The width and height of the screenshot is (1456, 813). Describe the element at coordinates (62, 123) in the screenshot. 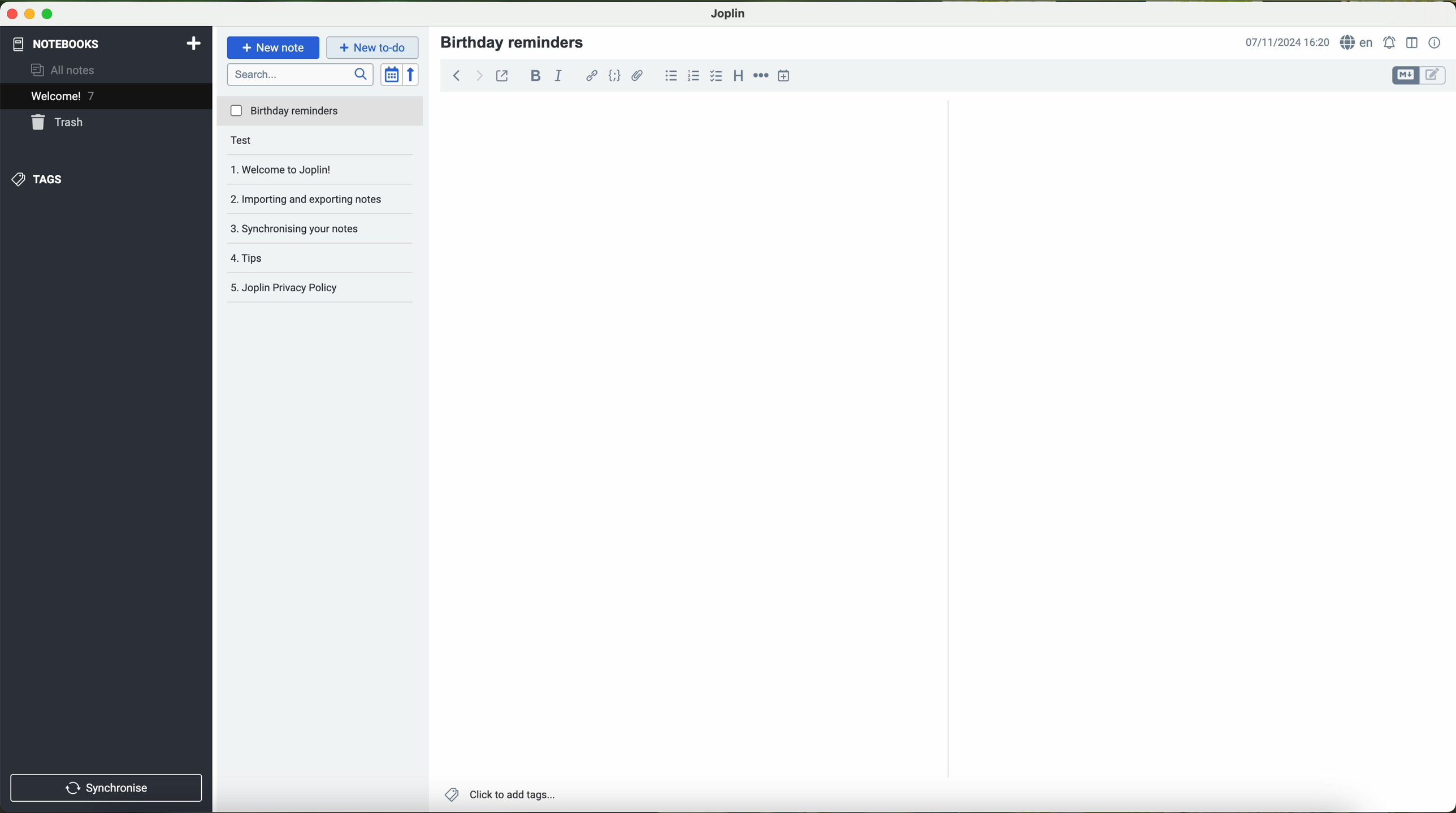

I see `trash` at that location.